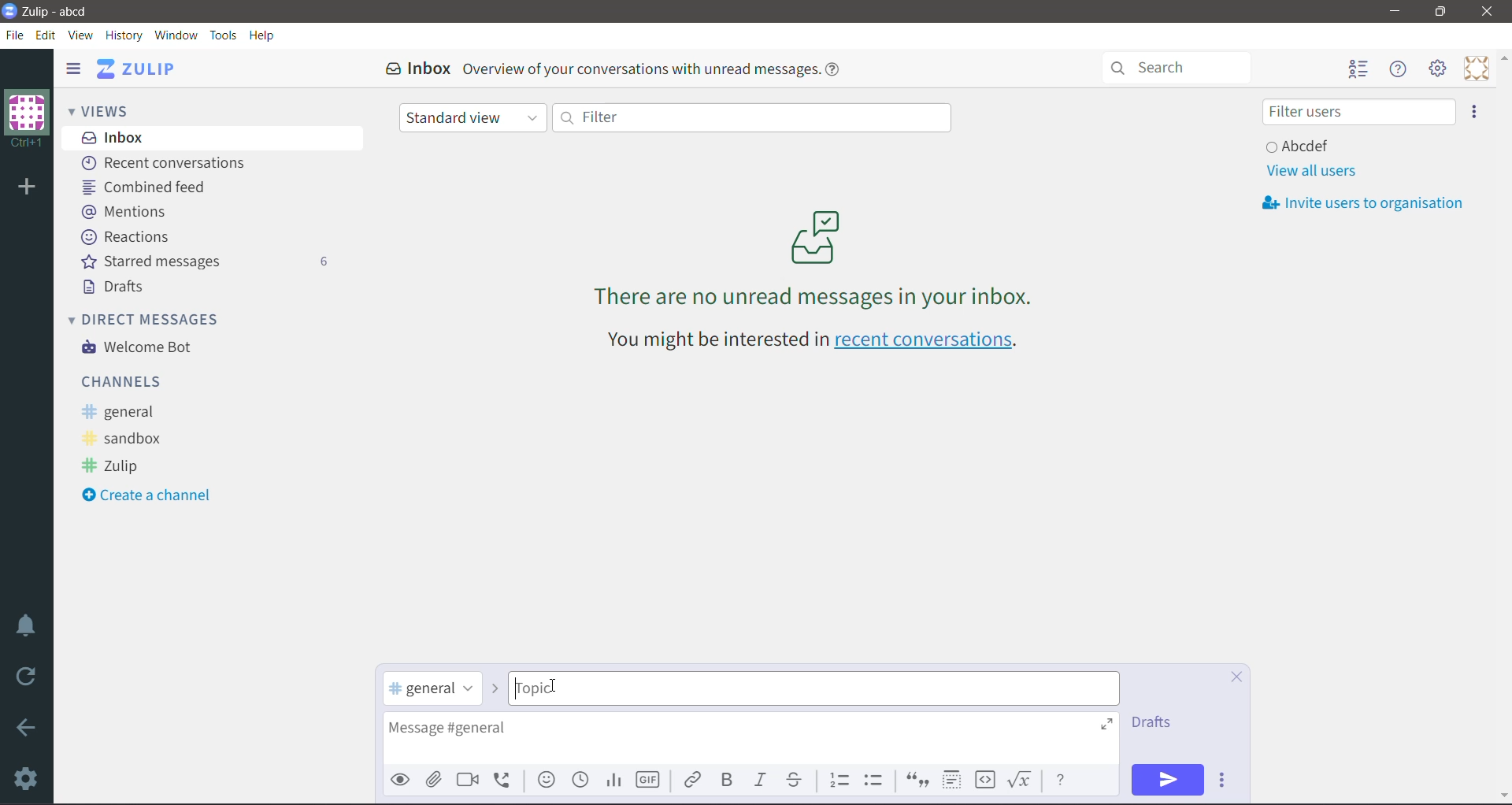 This screenshot has width=1512, height=805. Describe the element at coordinates (176, 35) in the screenshot. I see `Window` at that location.